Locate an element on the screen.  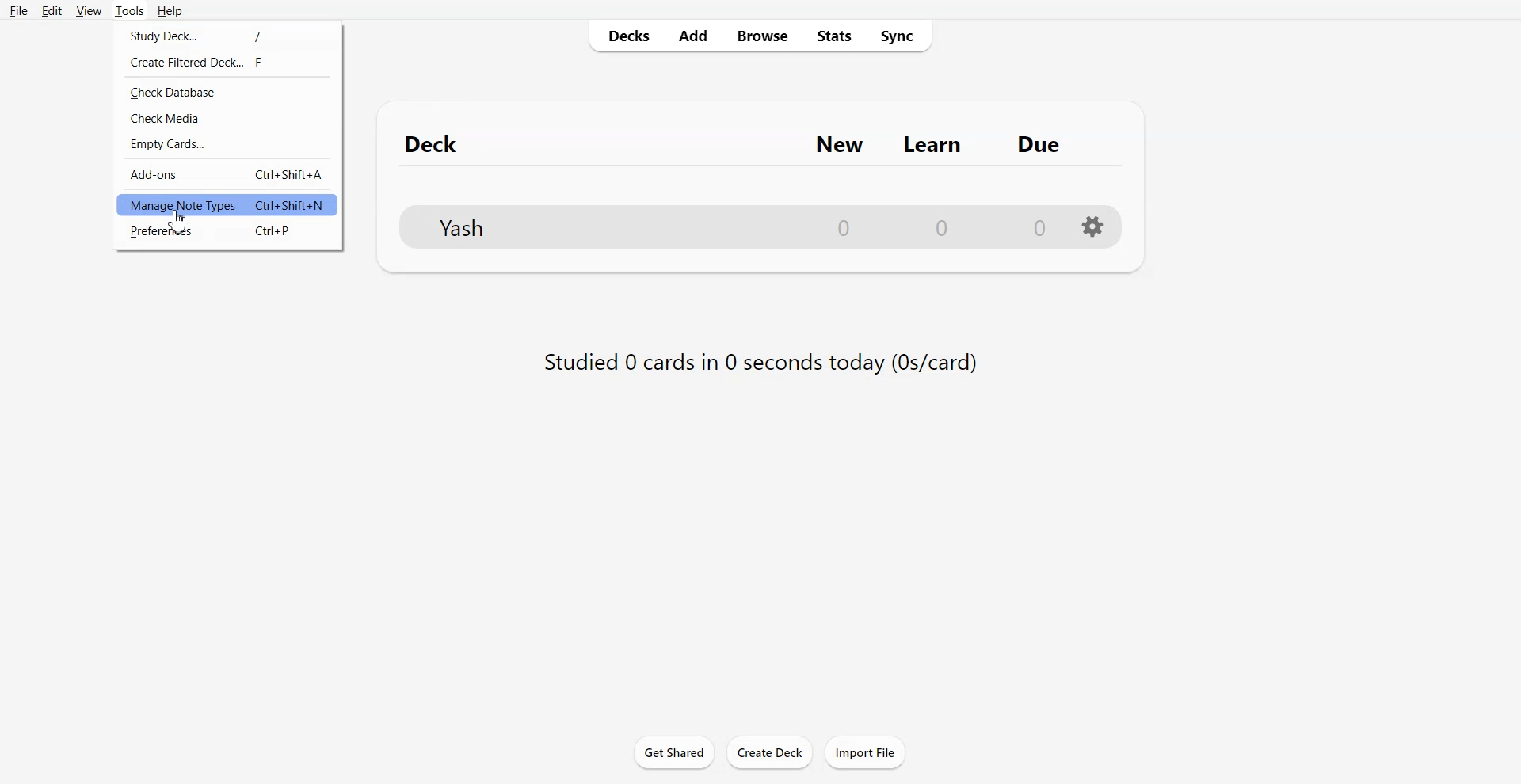
Sync is located at coordinates (900, 35).